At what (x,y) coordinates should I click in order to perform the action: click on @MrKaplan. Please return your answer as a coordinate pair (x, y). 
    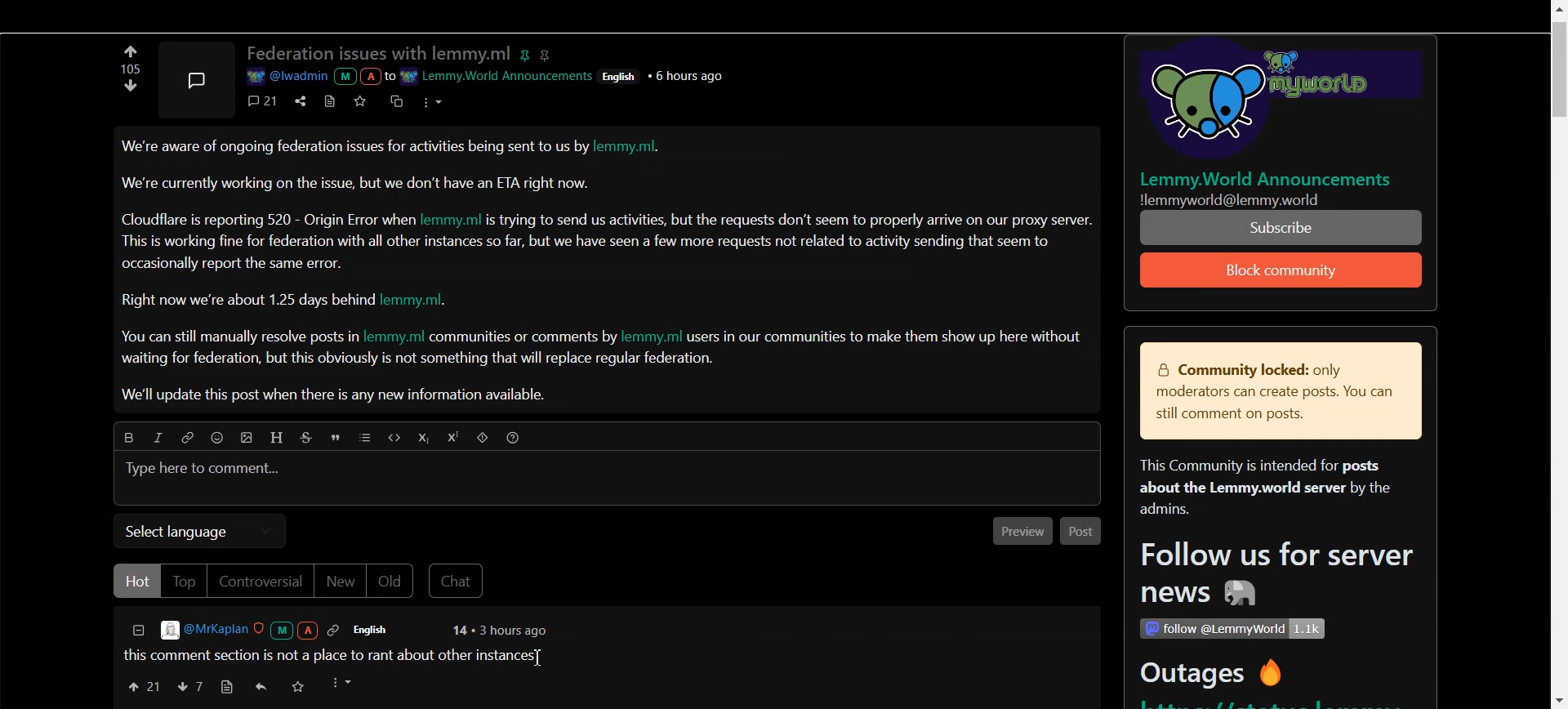
    Looking at the image, I should click on (252, 630).